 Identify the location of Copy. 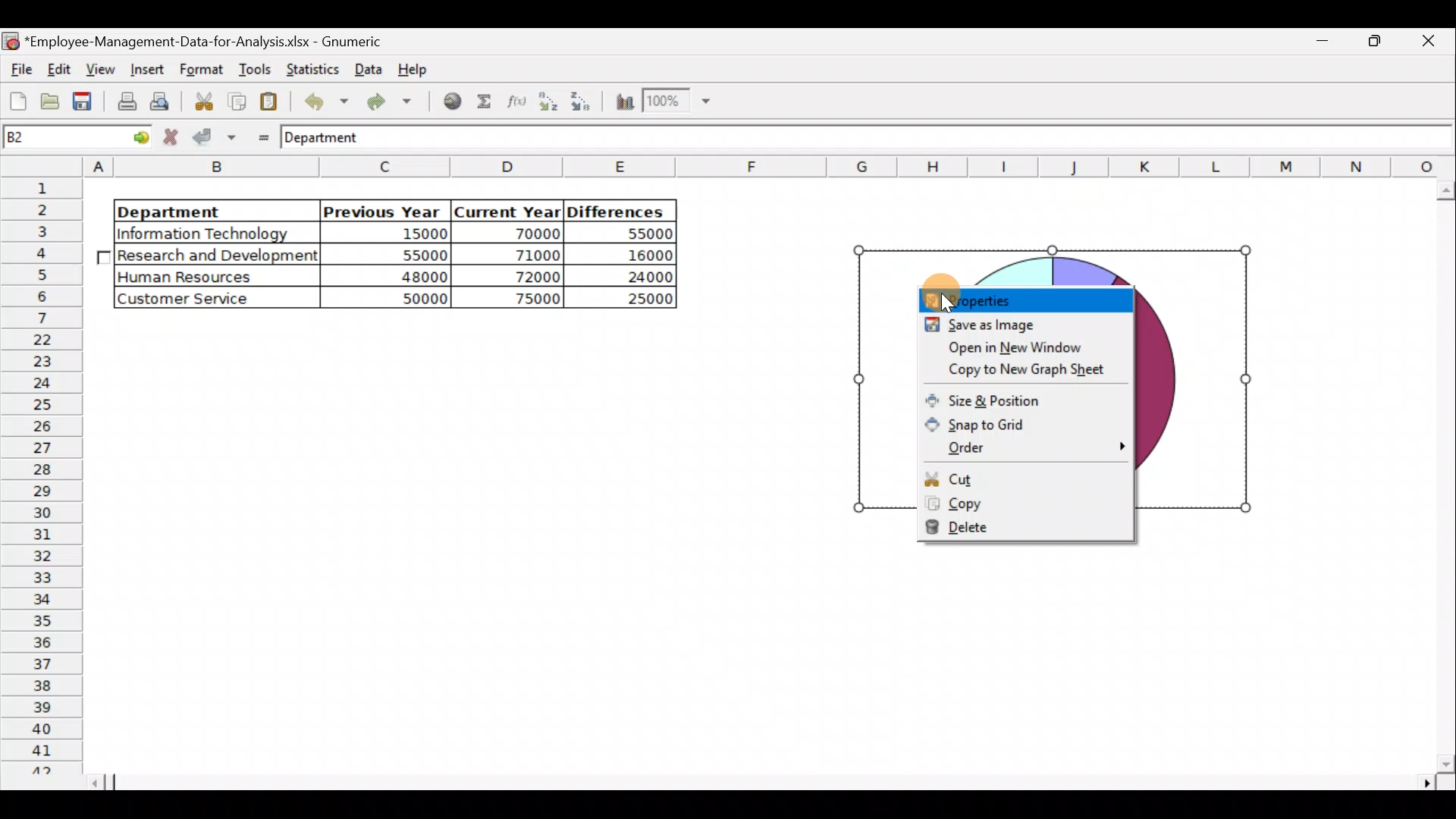
(1010, 504).